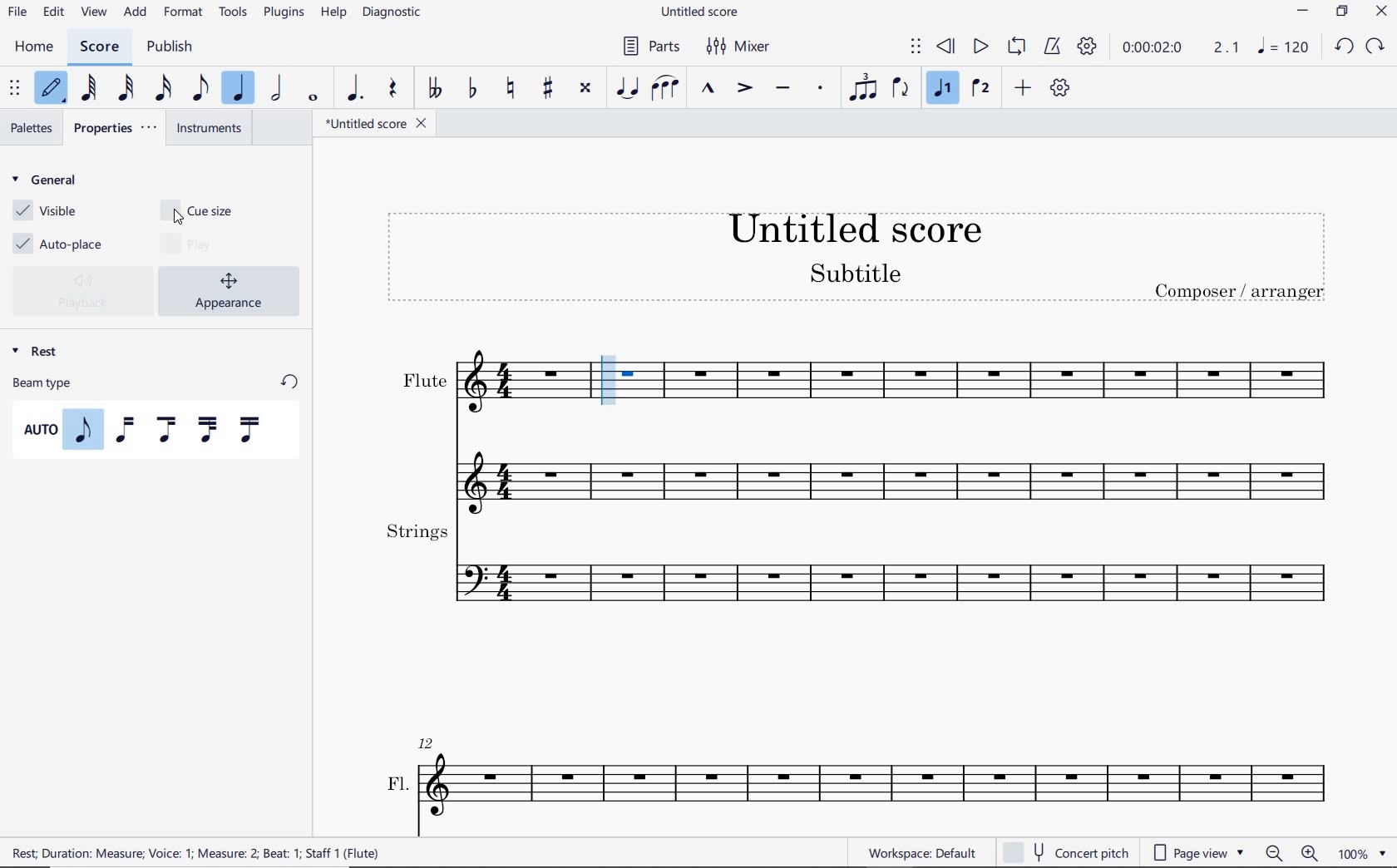 The height and width of the screenshot is (868, 1397). Describe the element at coordinates (91, 13) in the screenshot. I see `view` at that location.